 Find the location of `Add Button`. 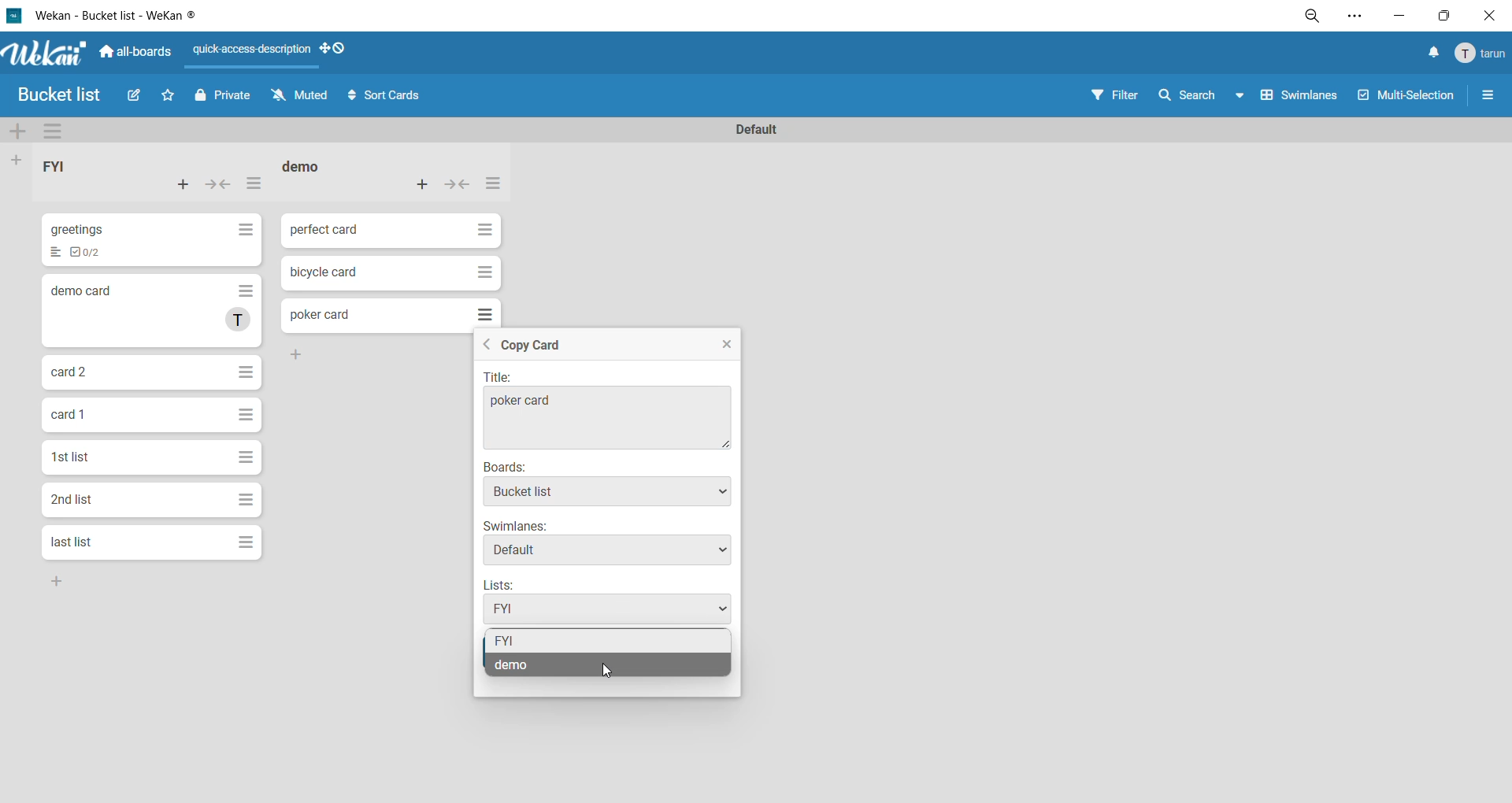

Add Button is located at coordinates (307, 353).